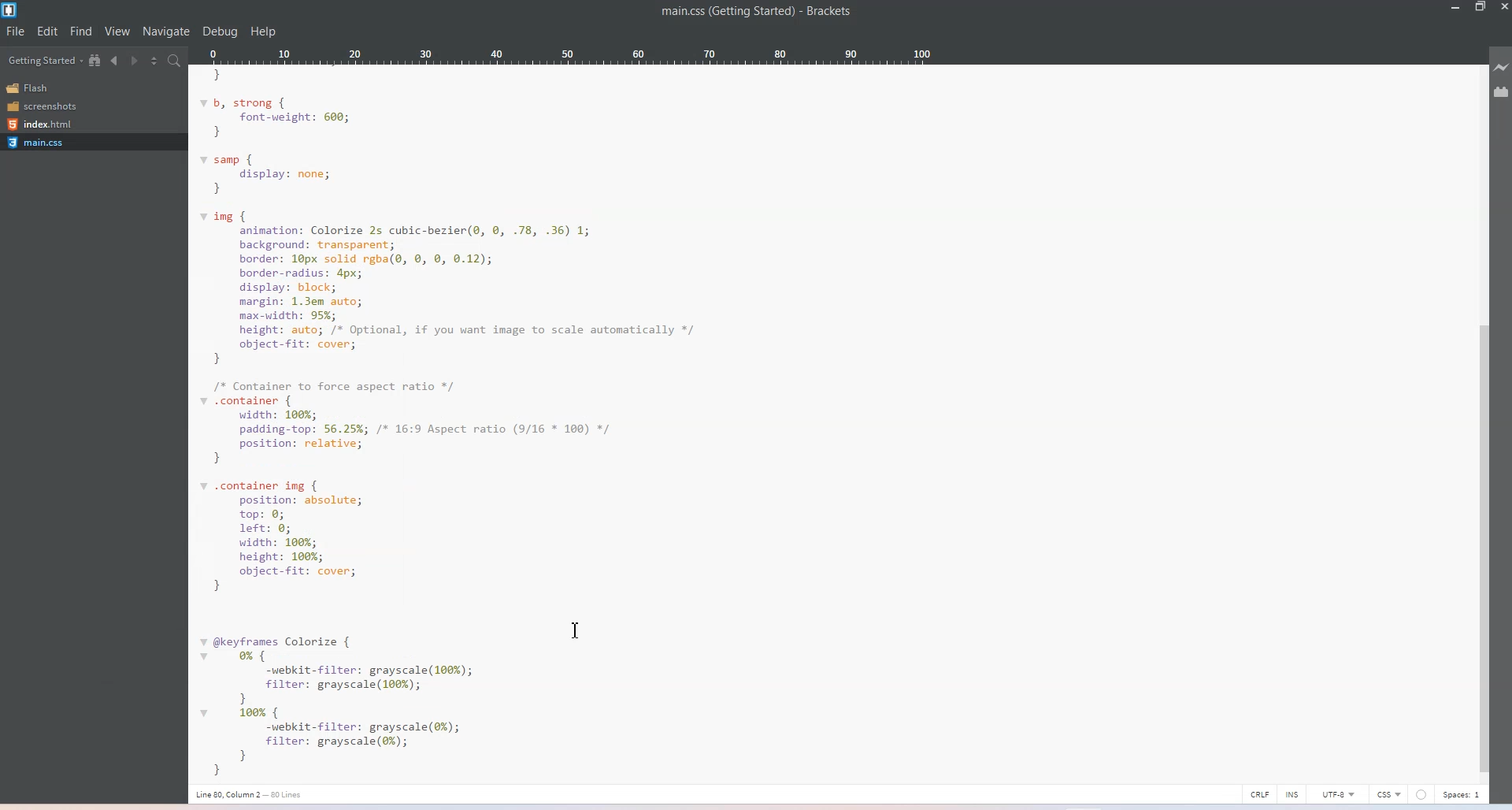 This screenshot has height=810, width=1512. What do you see at coordinates (117, 61) in the screenshot?
I see `Navigate Backwards` at bounding box center [117, 61].